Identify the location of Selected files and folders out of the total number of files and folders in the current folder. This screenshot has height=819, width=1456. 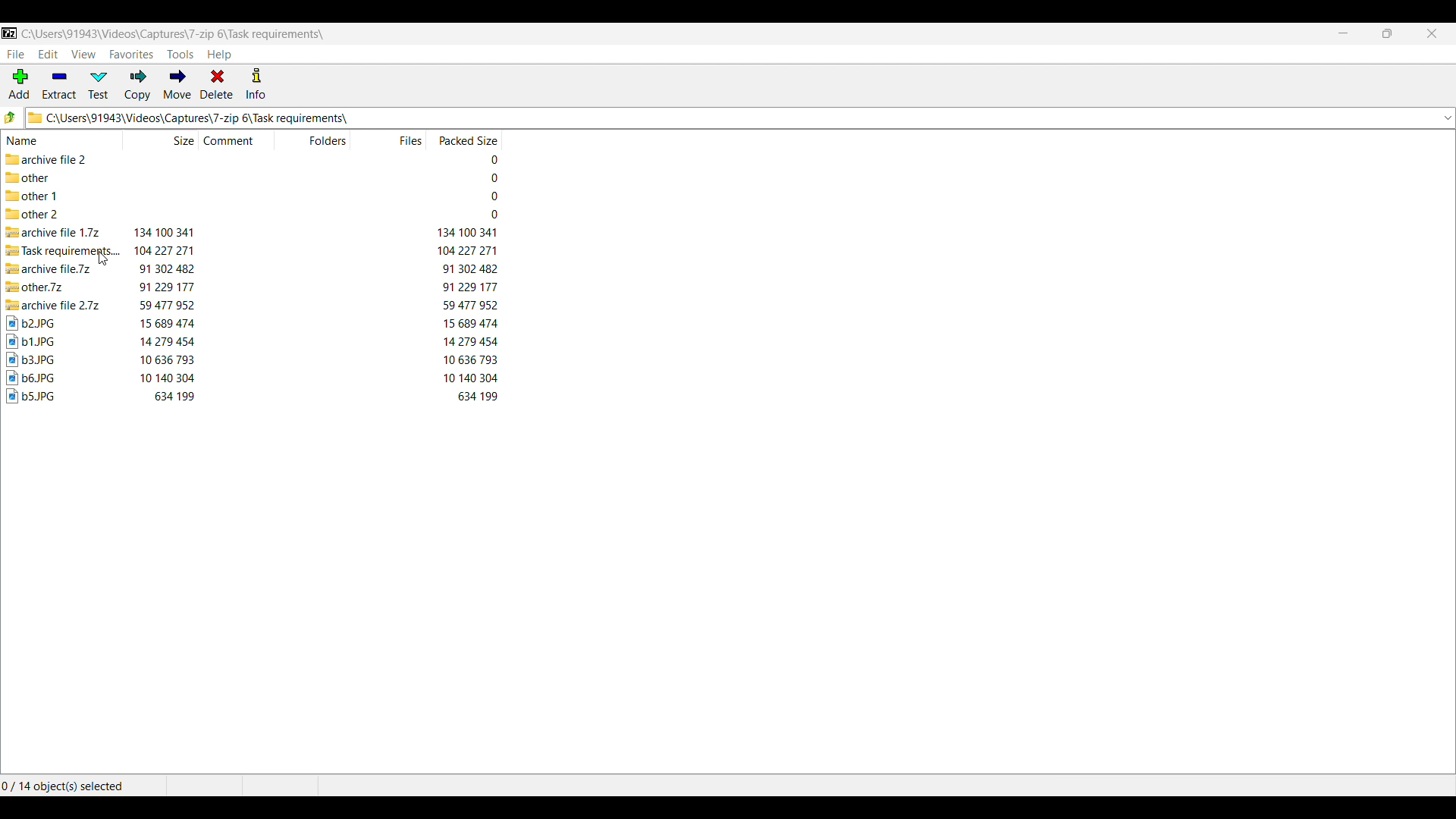
(83, 786).